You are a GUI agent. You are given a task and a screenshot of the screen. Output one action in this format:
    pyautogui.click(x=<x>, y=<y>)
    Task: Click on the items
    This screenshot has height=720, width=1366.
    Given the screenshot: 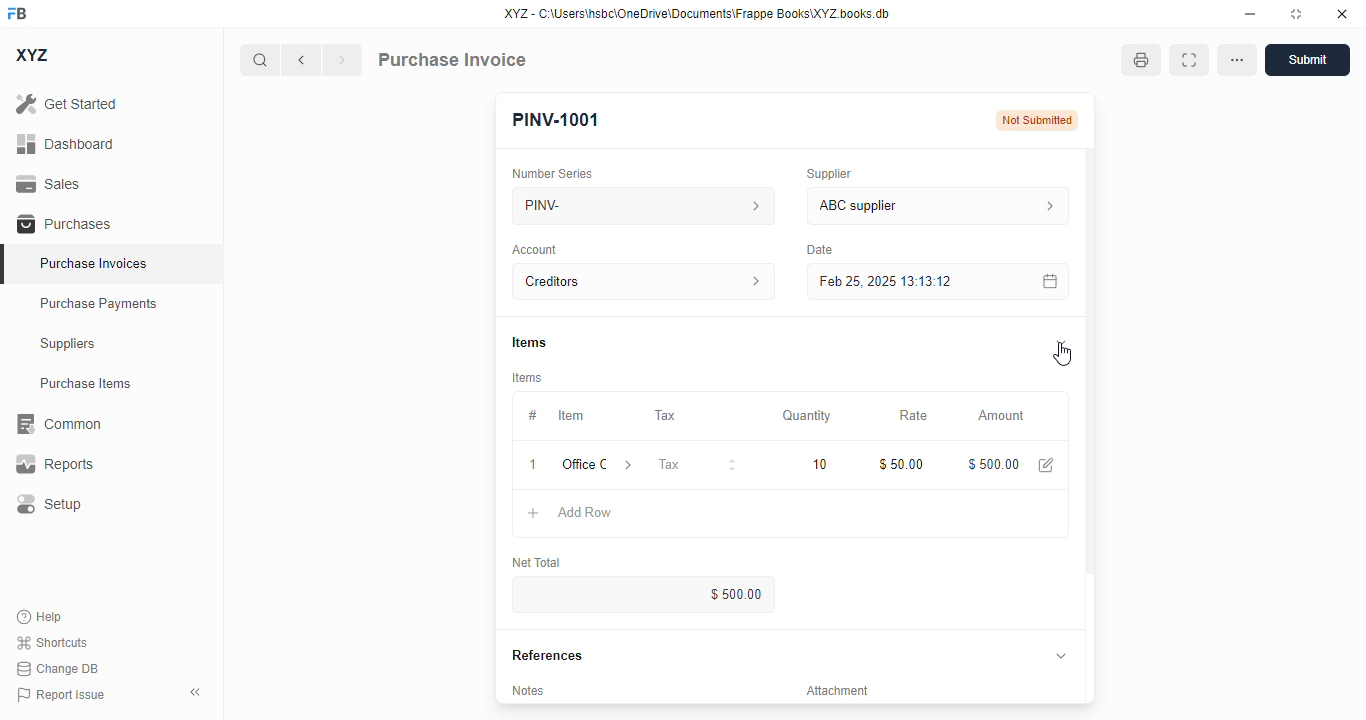 What is the action you would take?
    pyautogui.click(x=527, y=378)
    